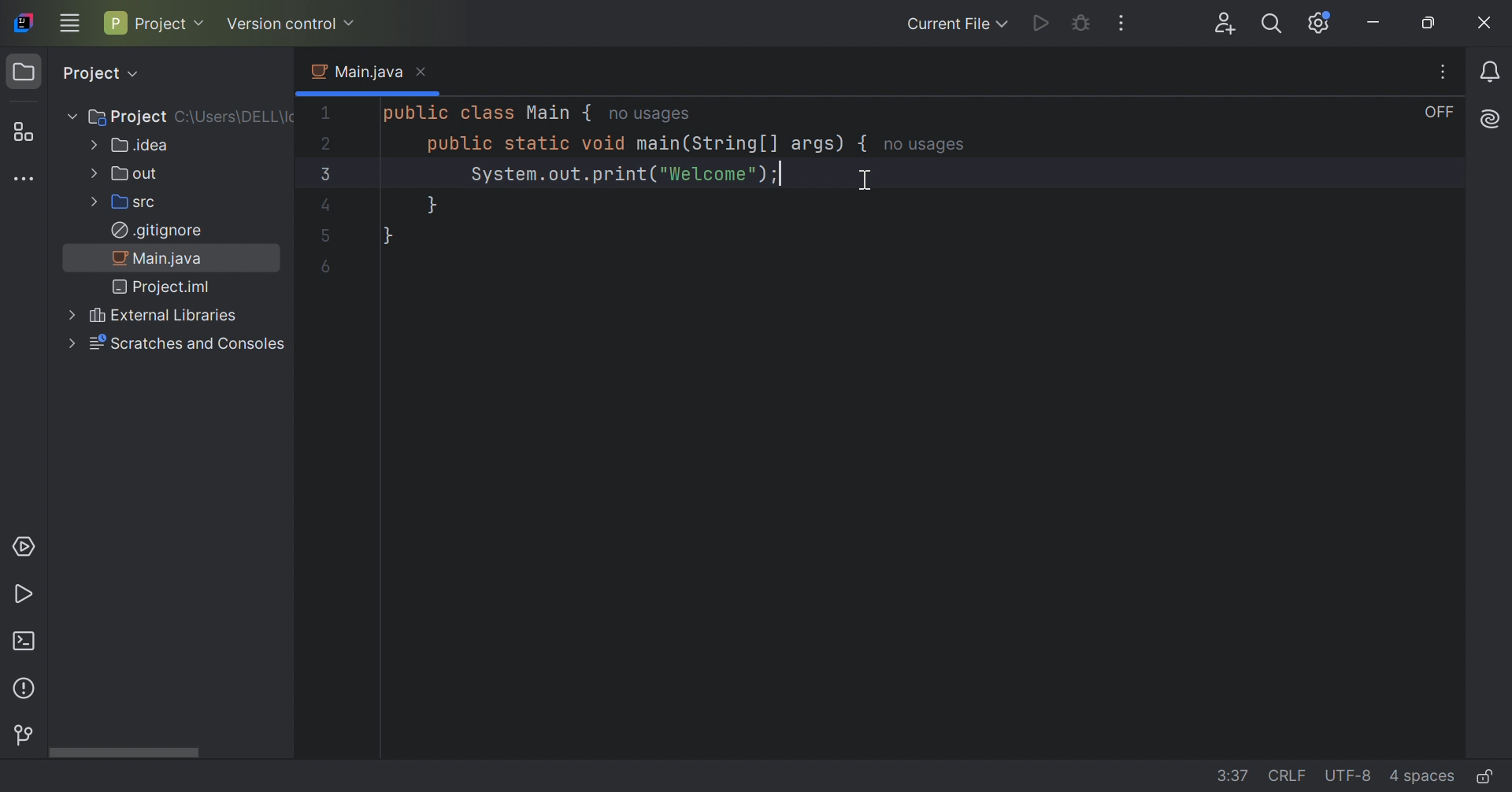 The height and width of the screenshot is (792, 1512). What do you see at coordinates (1351, 775) in the screenshot?
I see `UTF-8` at bounding box center [1351, 775].